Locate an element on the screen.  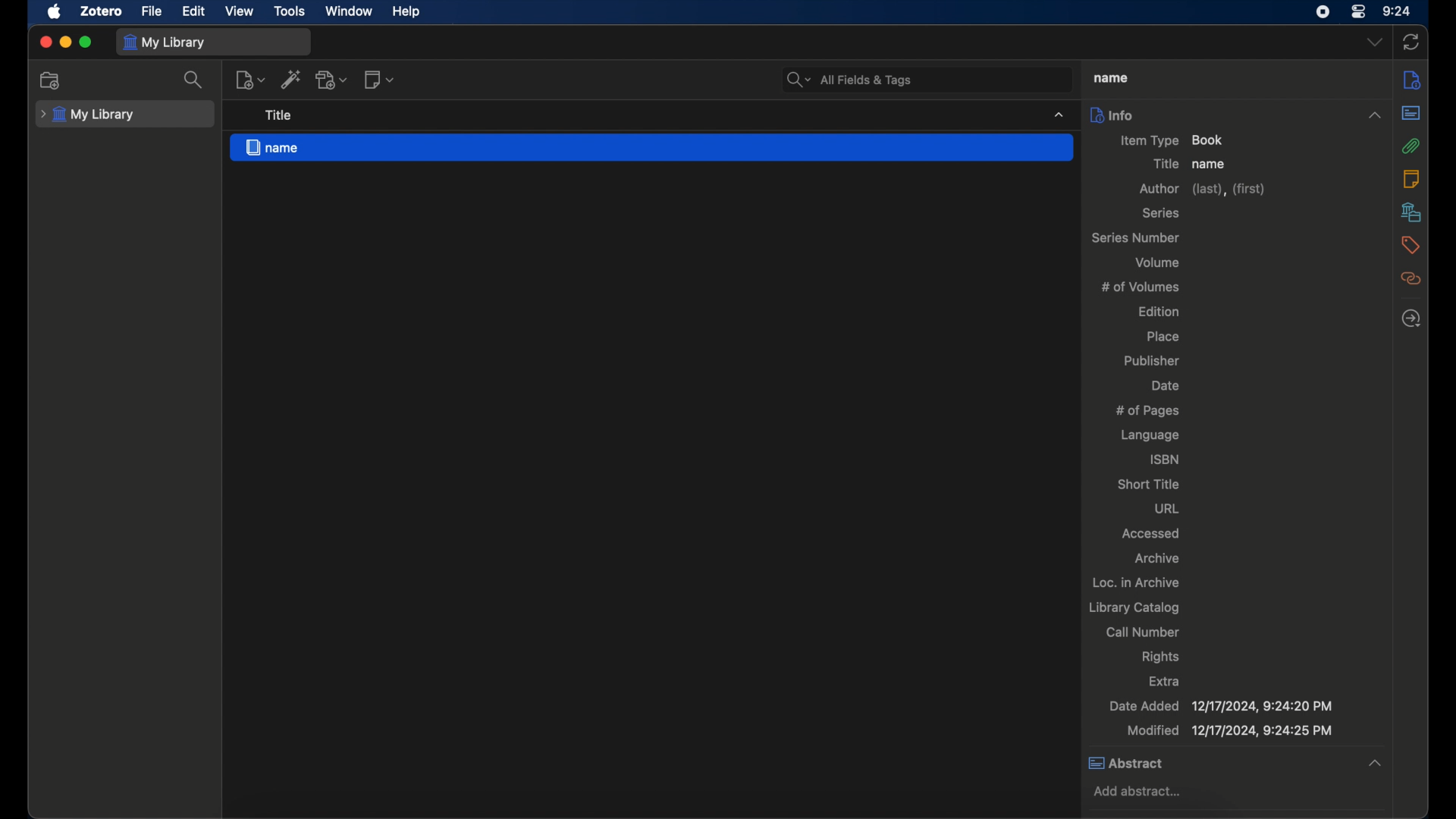
tags is located at coordinates (1414, 244).